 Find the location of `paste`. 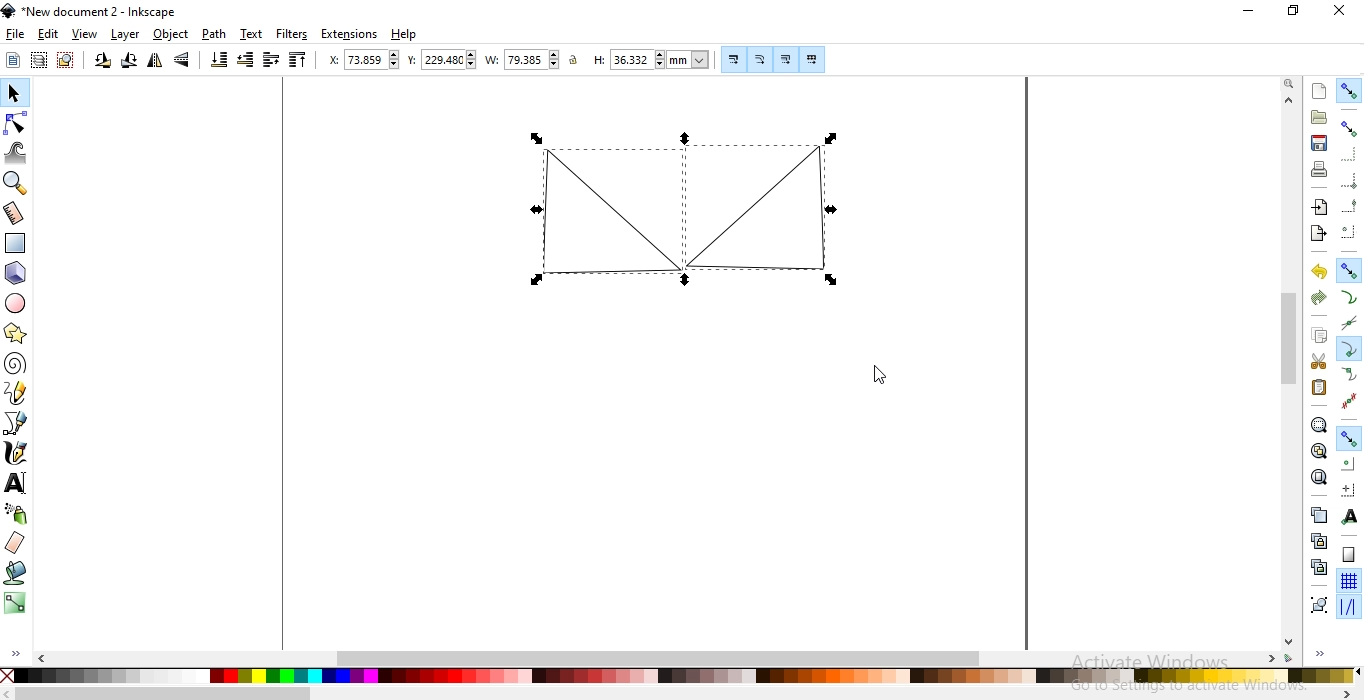

paste is located at coordinates (1320, 387).